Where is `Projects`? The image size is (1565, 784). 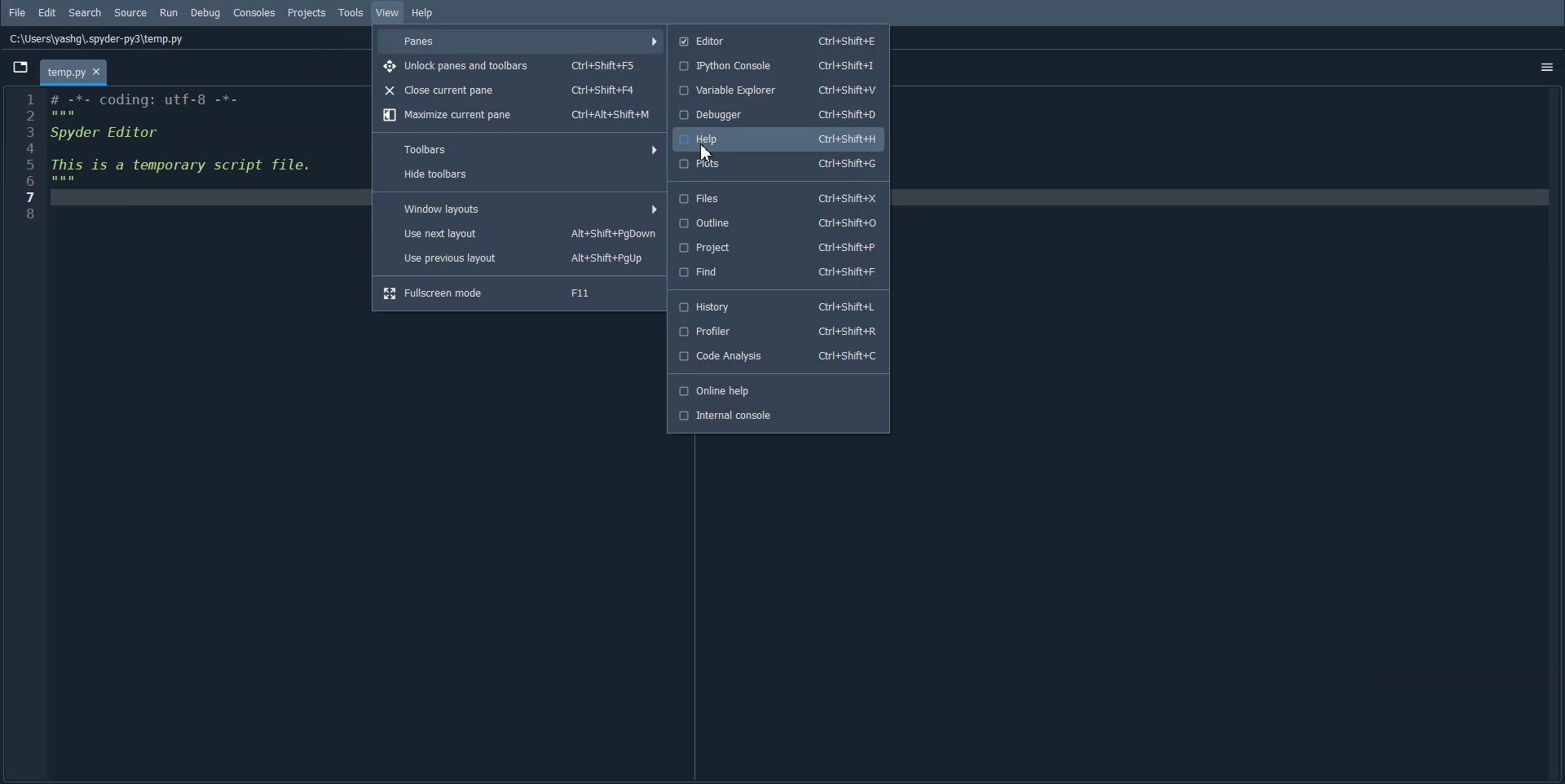 Projects is located at coordinates (309, 13).